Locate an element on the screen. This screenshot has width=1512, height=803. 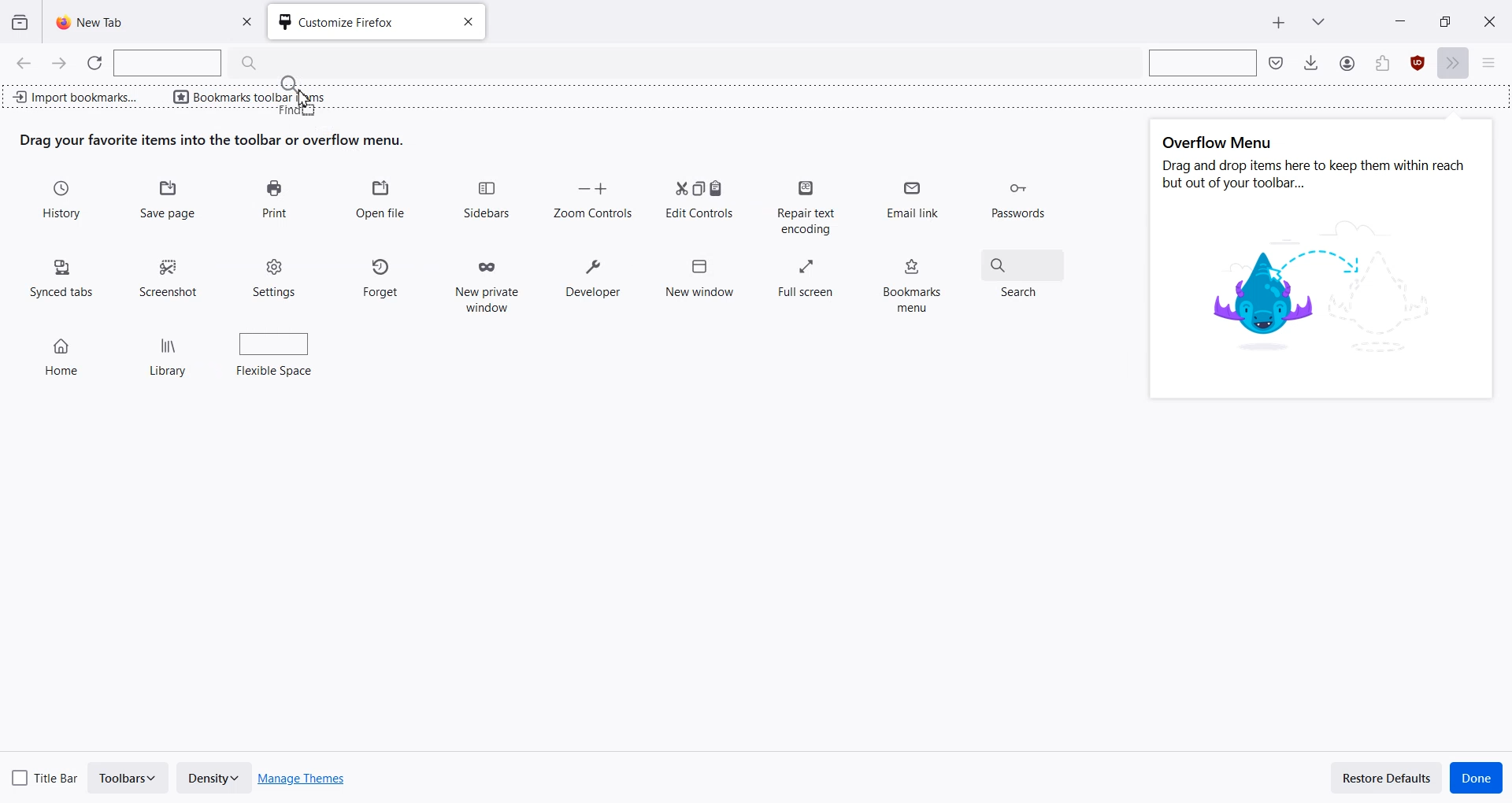
New Tab is located at coordinates (134, 23).